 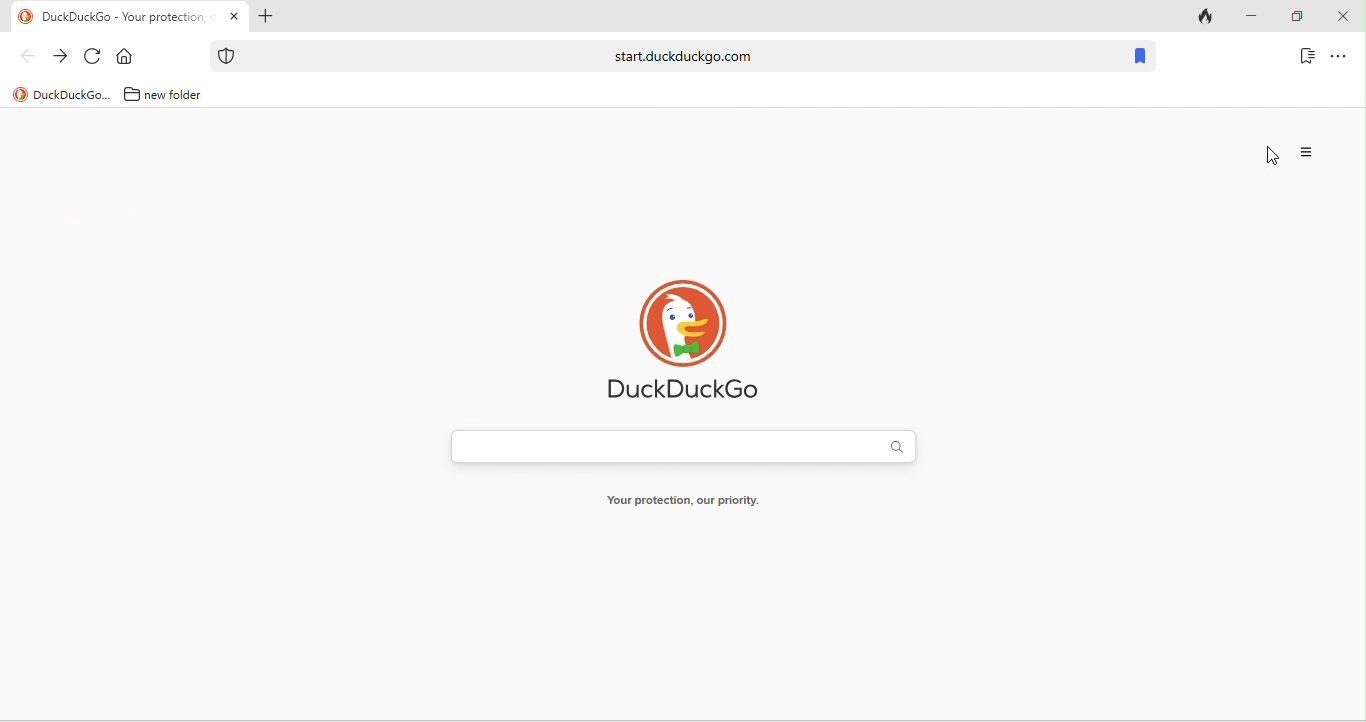 I want to click on back, so click(x=19, y=59).